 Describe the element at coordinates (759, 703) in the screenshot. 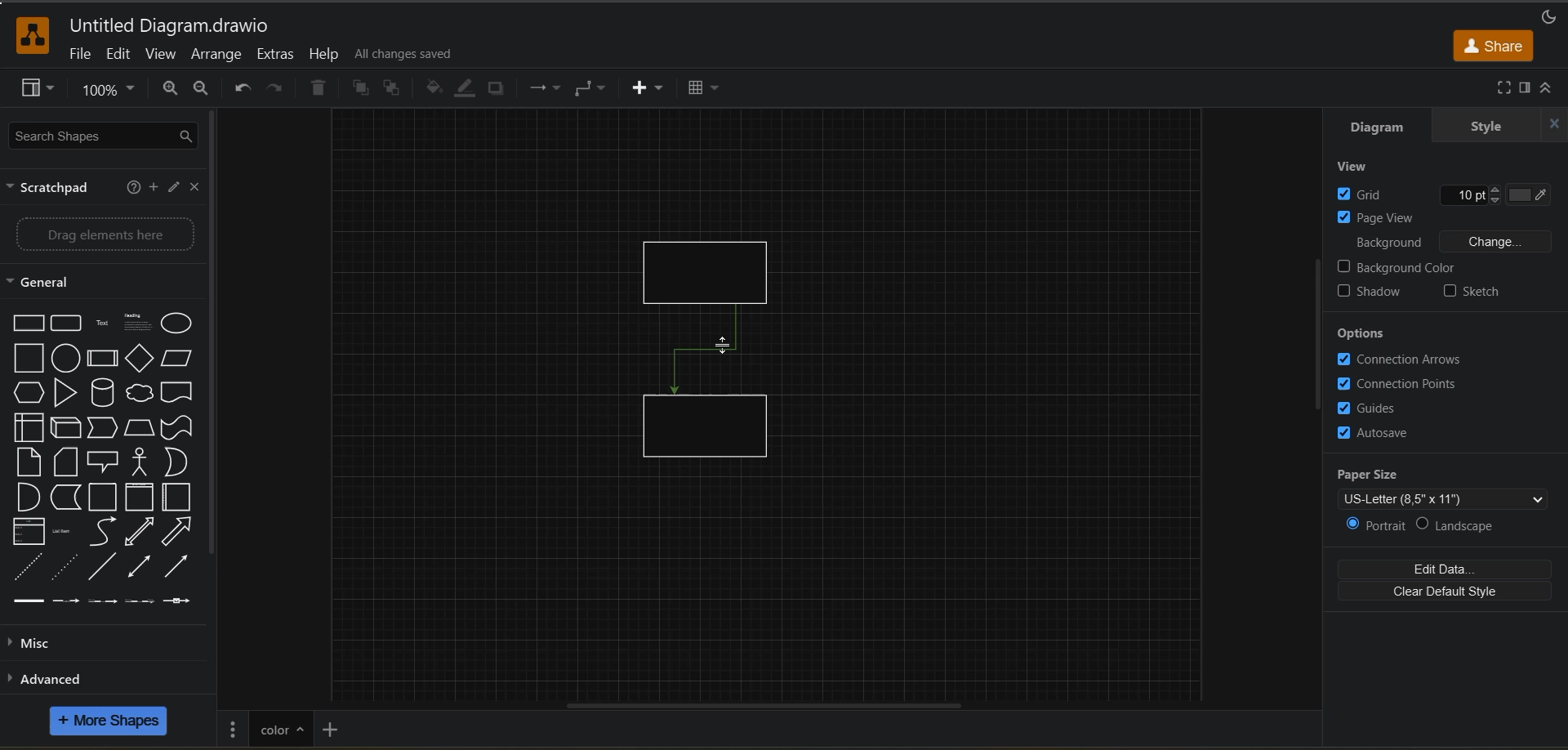

I see `horizontal scroll bar` at that location.